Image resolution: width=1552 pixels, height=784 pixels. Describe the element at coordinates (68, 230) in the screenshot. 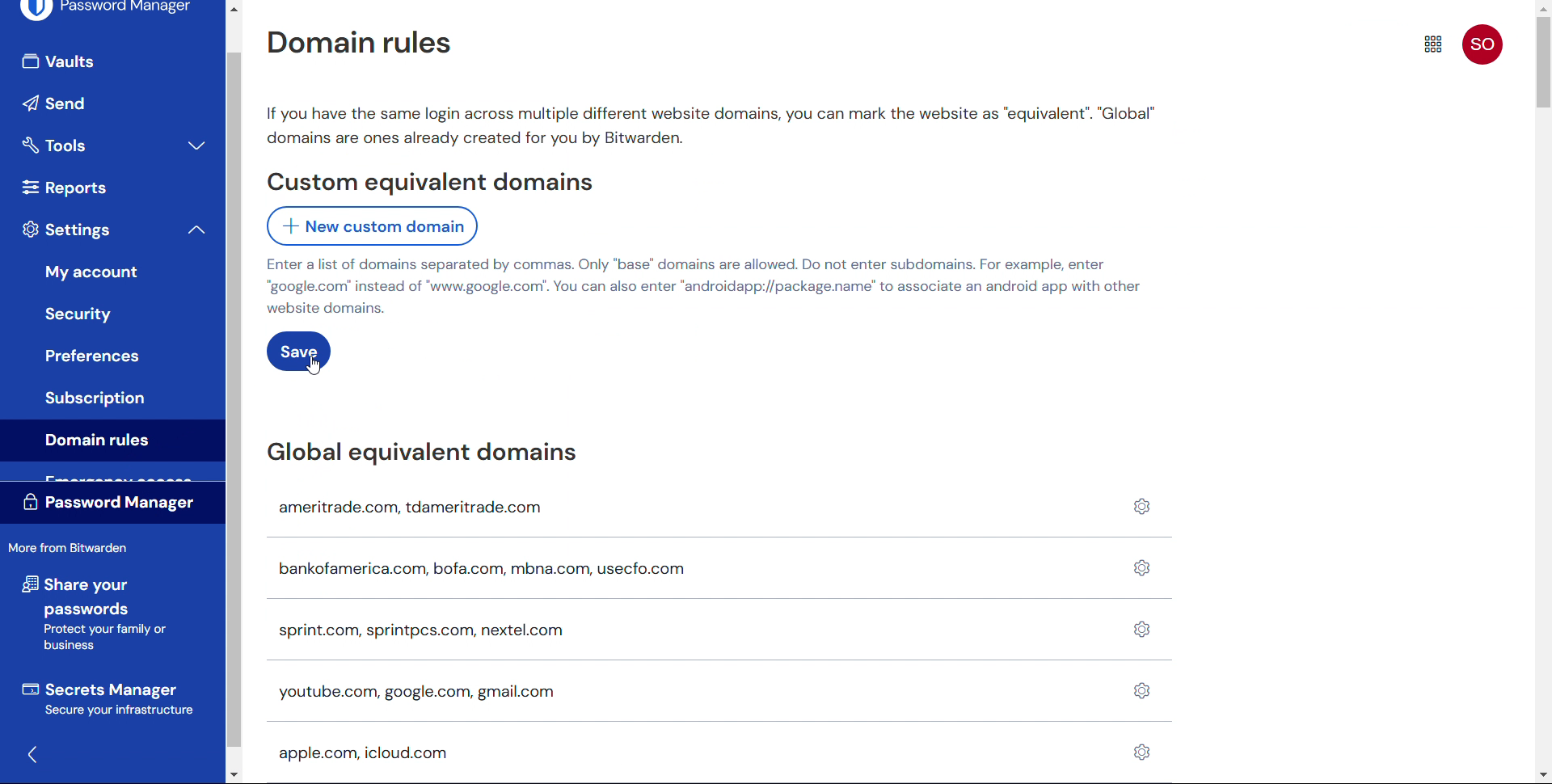

I see `Settings ` at that location.